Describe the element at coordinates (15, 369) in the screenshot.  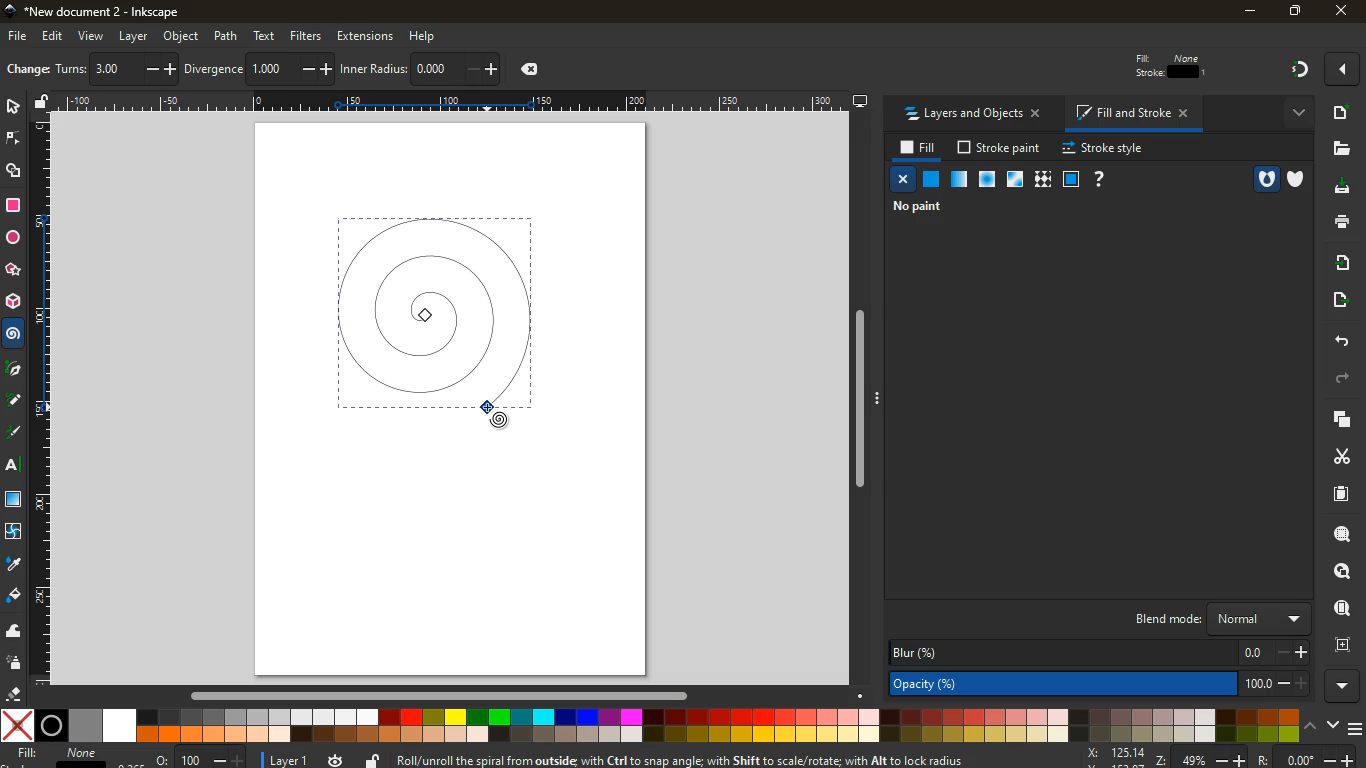
I see `` at that location.